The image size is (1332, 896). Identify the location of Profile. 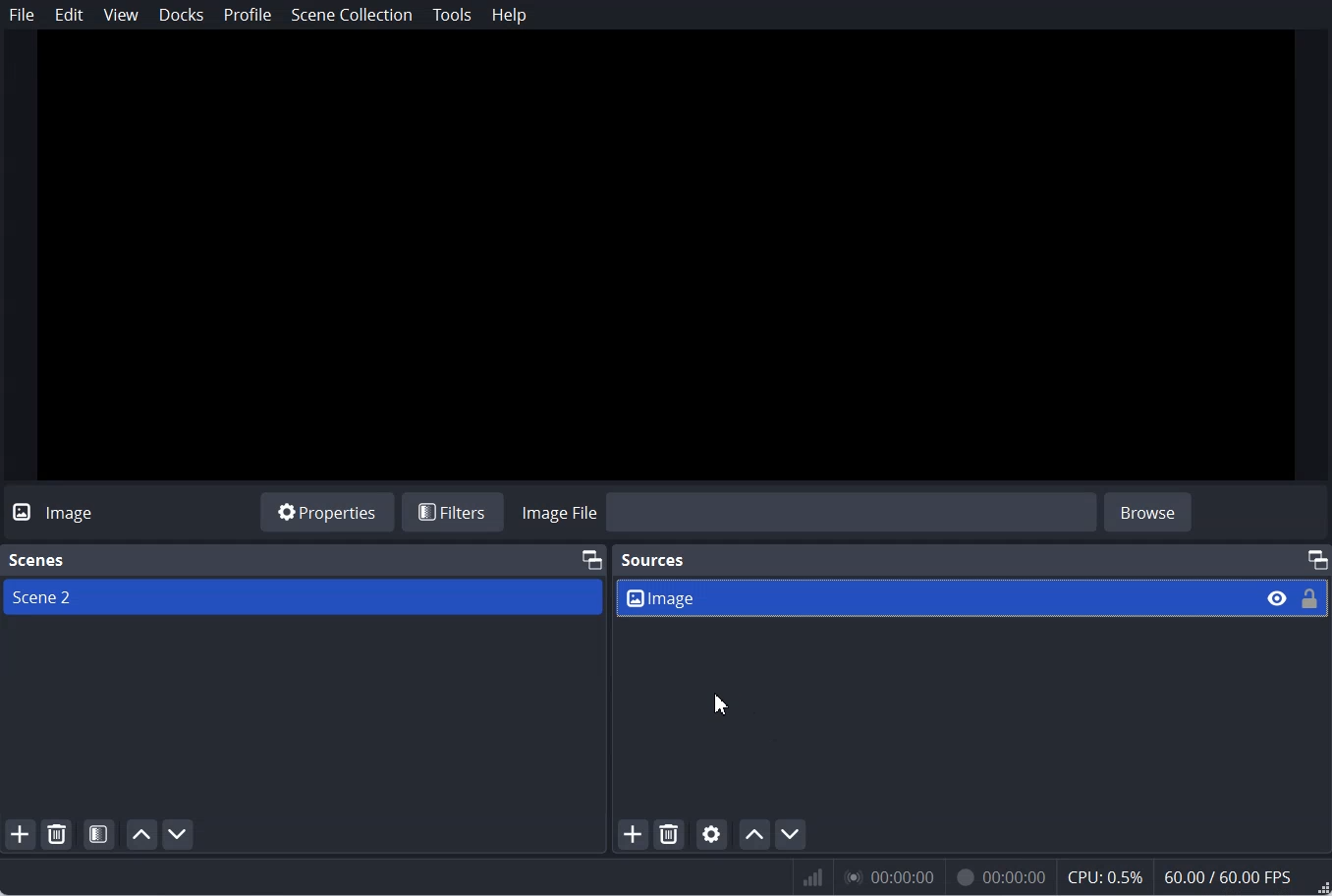
(247, 16).